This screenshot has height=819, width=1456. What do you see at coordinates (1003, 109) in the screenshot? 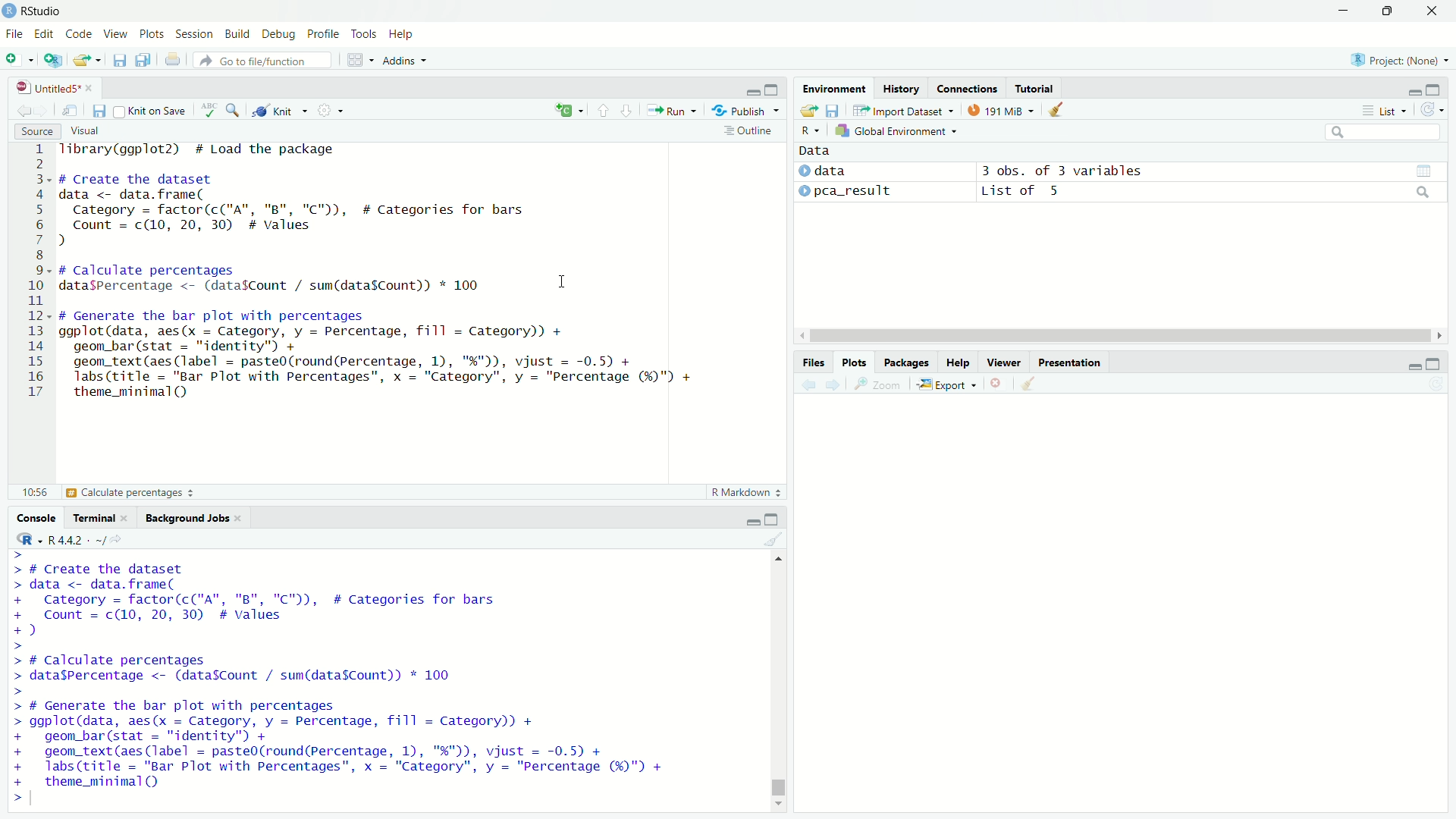
I see `memory usage: 191MB` at bounding box center [1003, 109].